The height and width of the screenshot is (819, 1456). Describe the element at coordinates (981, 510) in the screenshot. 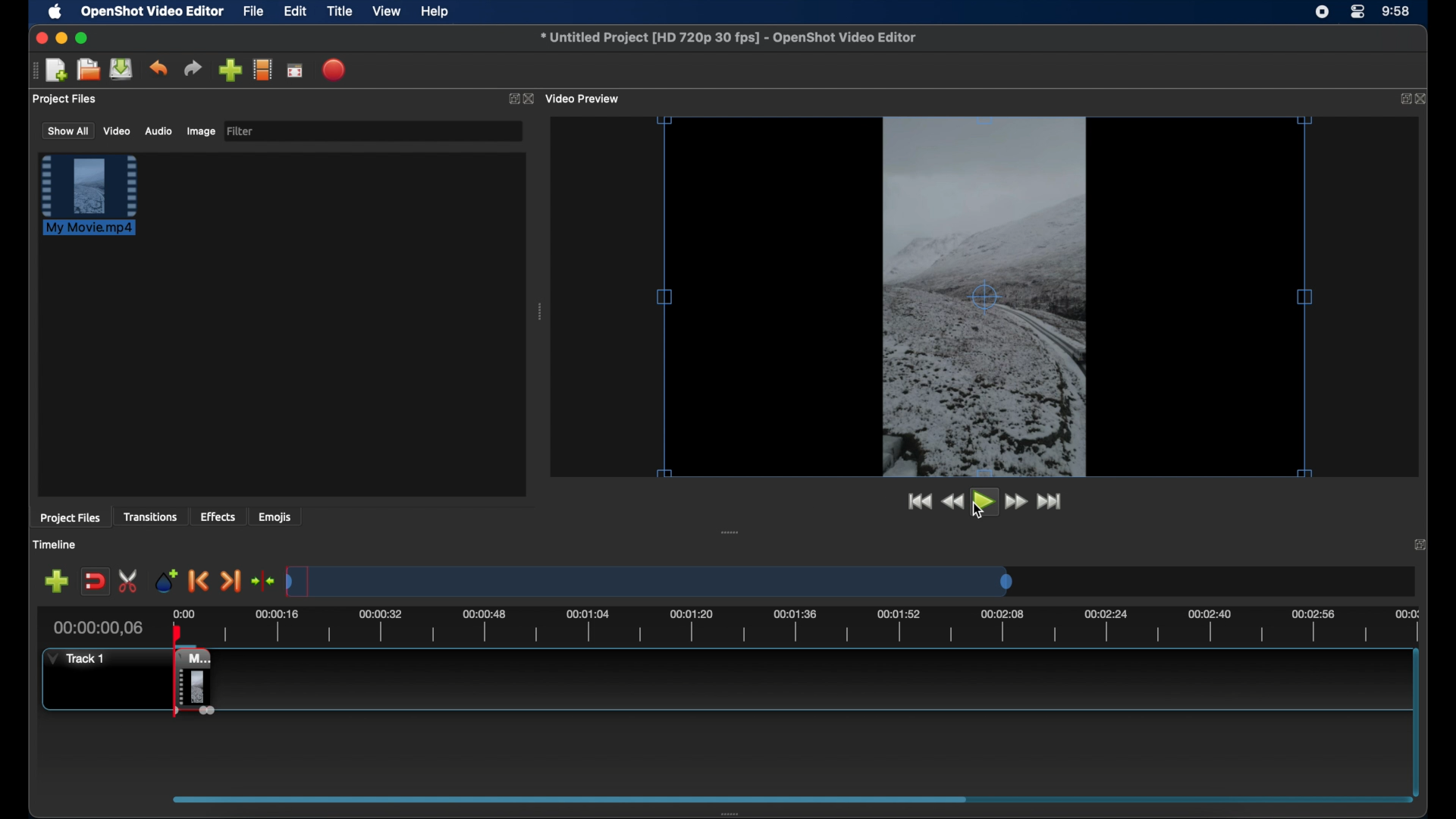

I see `play` at that location.